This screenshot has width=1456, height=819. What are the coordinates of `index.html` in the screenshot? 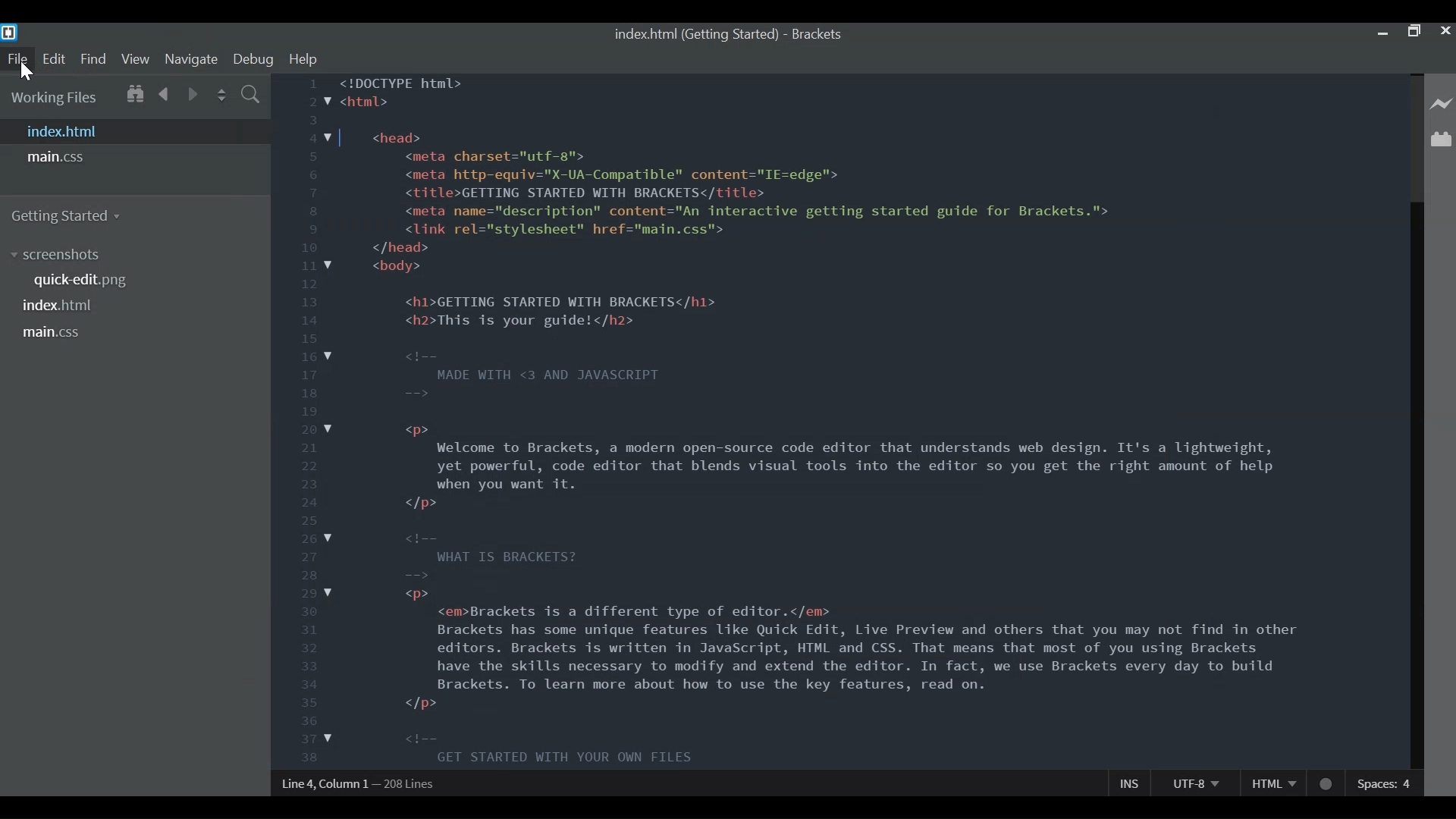 It's located at (695, 33).